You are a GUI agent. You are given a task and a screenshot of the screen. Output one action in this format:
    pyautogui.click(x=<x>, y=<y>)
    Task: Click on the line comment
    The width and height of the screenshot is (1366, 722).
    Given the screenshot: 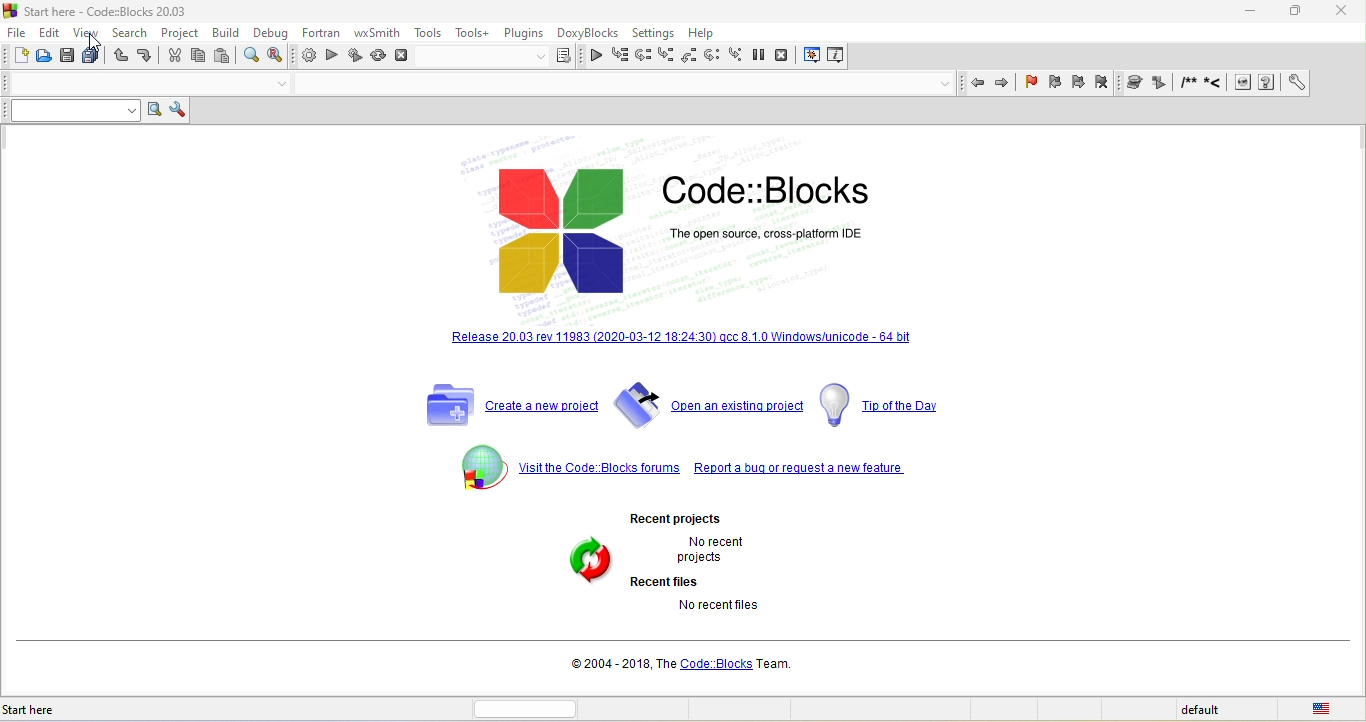 What is the action you would take?
    pyautogui.click(x=1215, y=84)
    